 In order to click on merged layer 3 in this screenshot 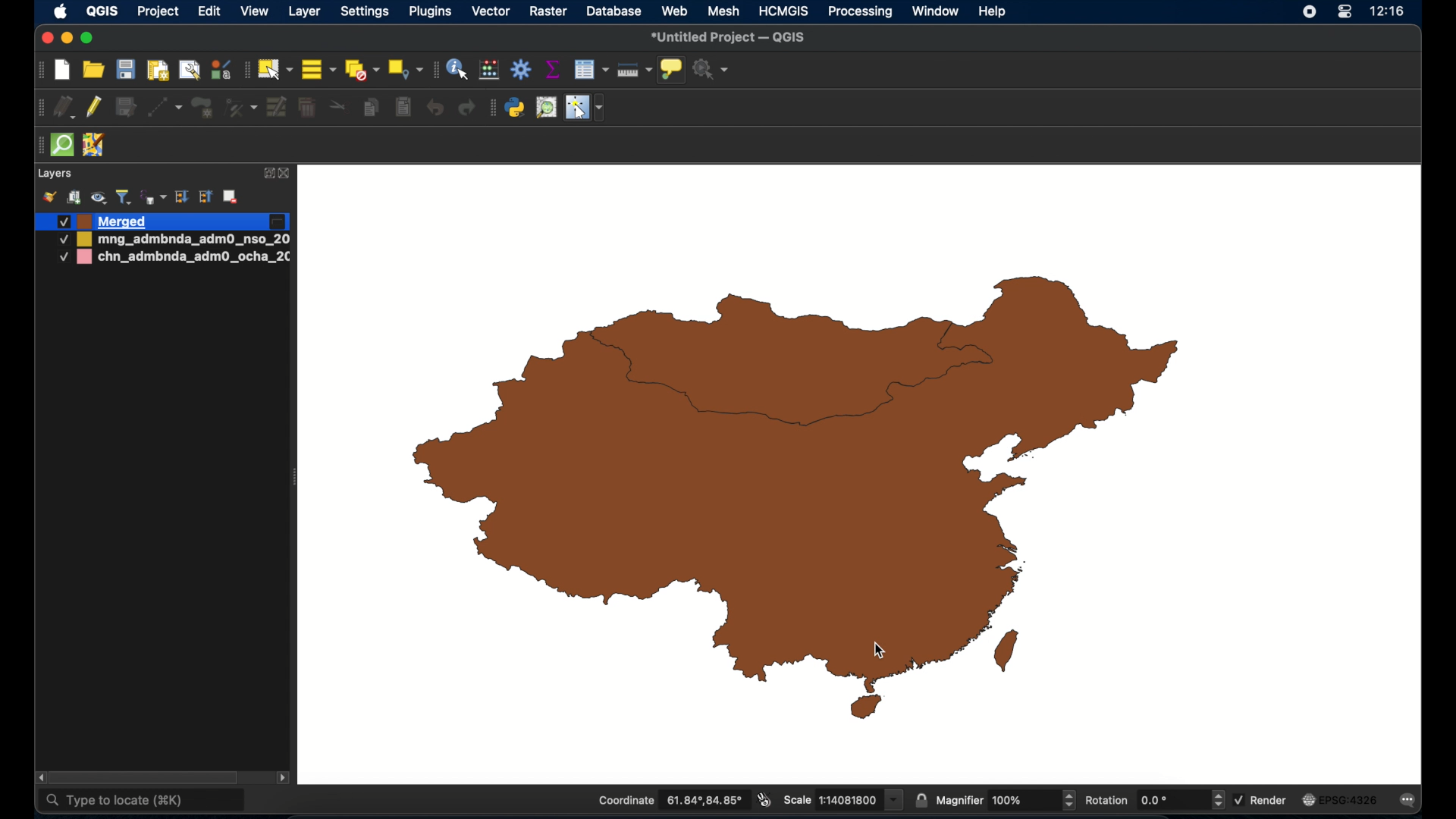, I will do `click(104, 221)`.